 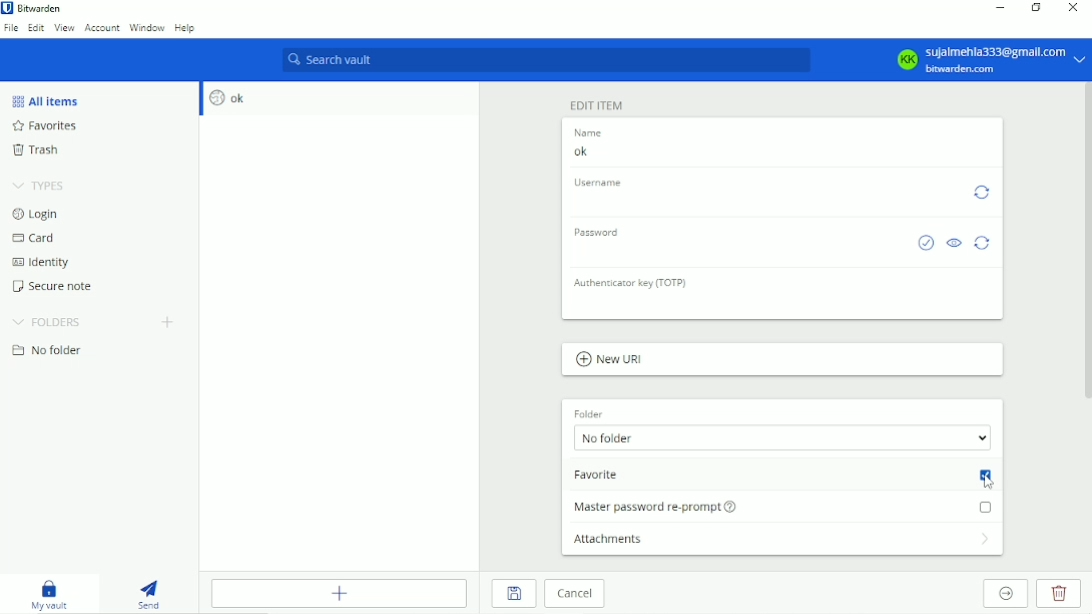 What do you see at coordinates (785, 509) in the screenshot?
I see `Master password re-prompt` at bounding box center [785, 509].